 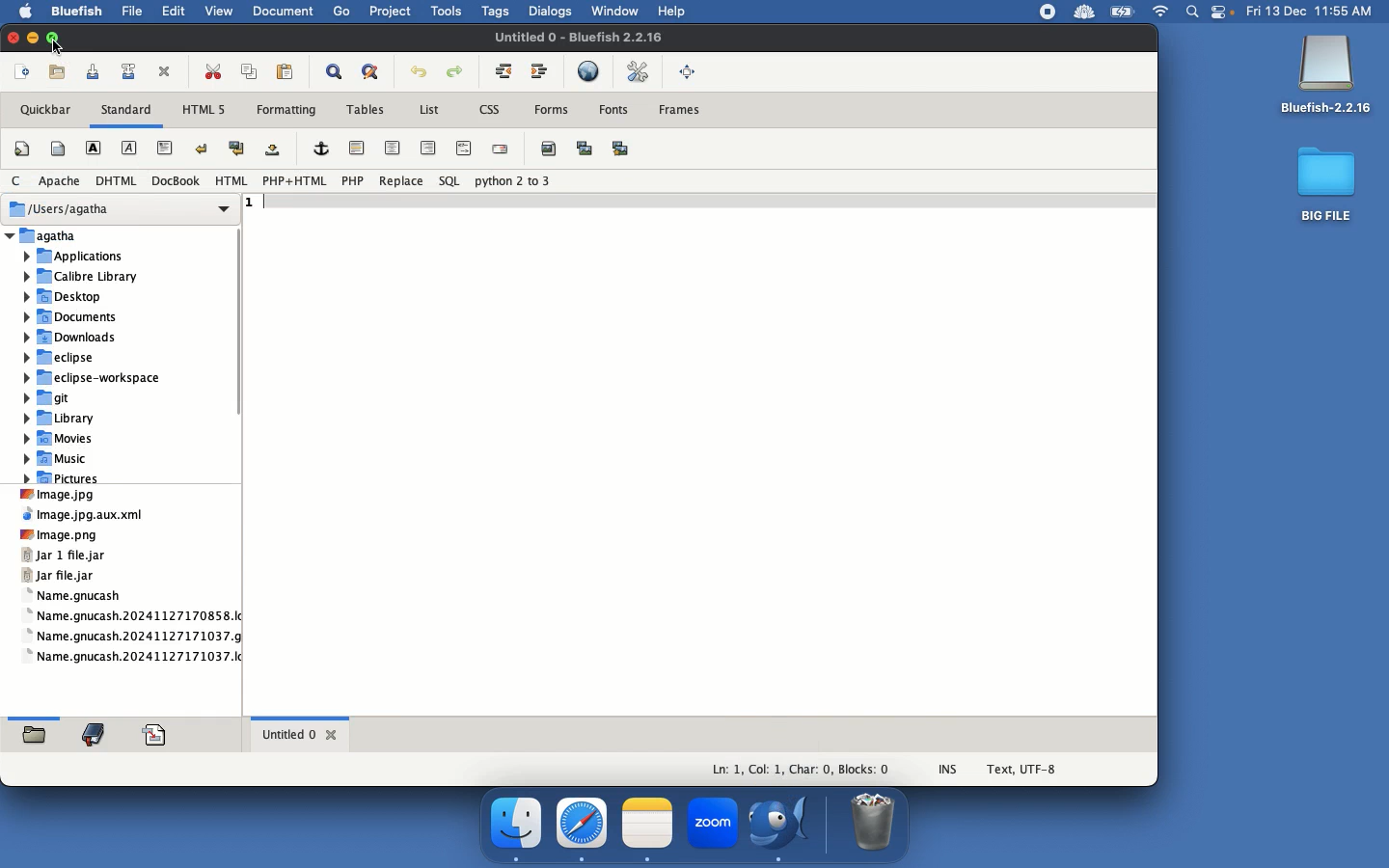 I want to click on project, so click(x=387, y=14).